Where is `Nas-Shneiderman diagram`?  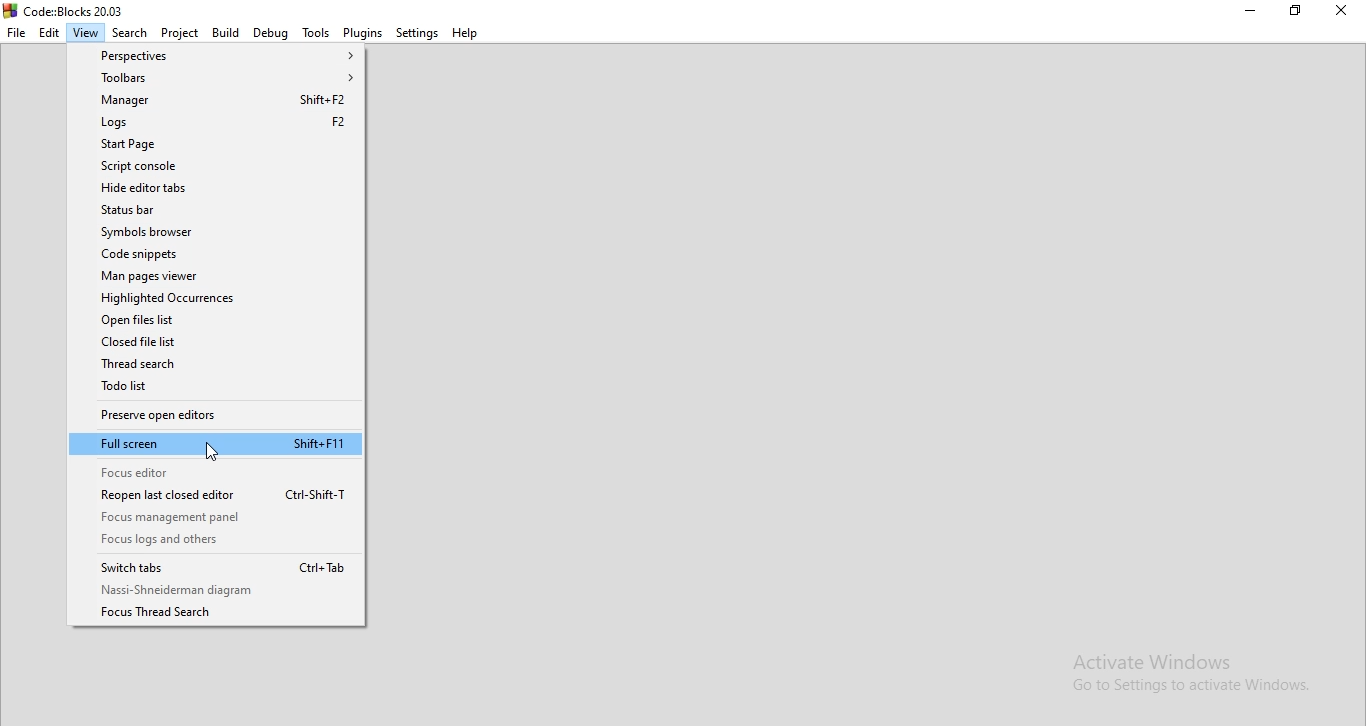 Nas-Shneiderman diagram is located at coordinates (217, 590).